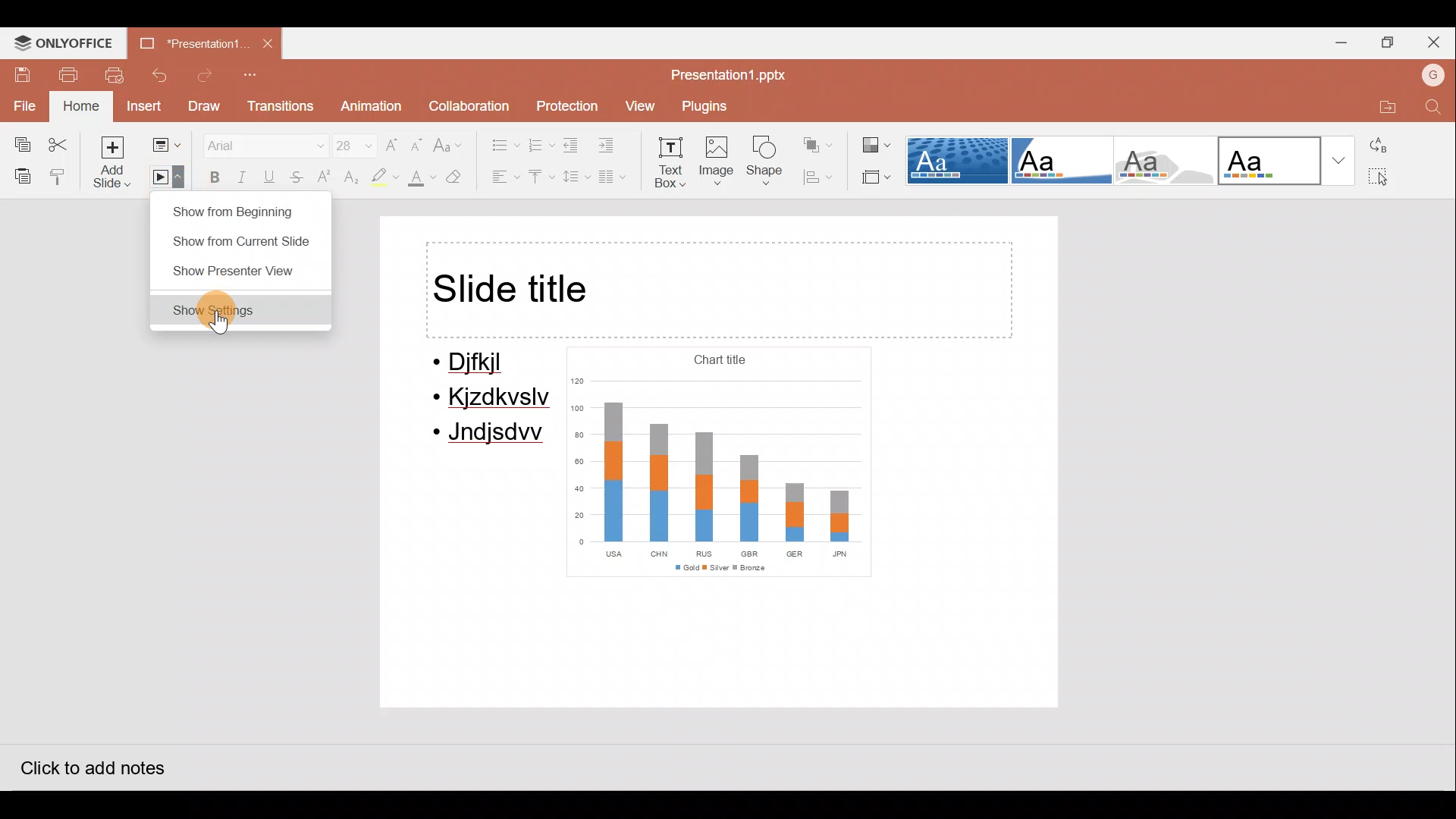  Describe the element at coordinates (238, 174) in the screenshot. I see `Italics` at that location.